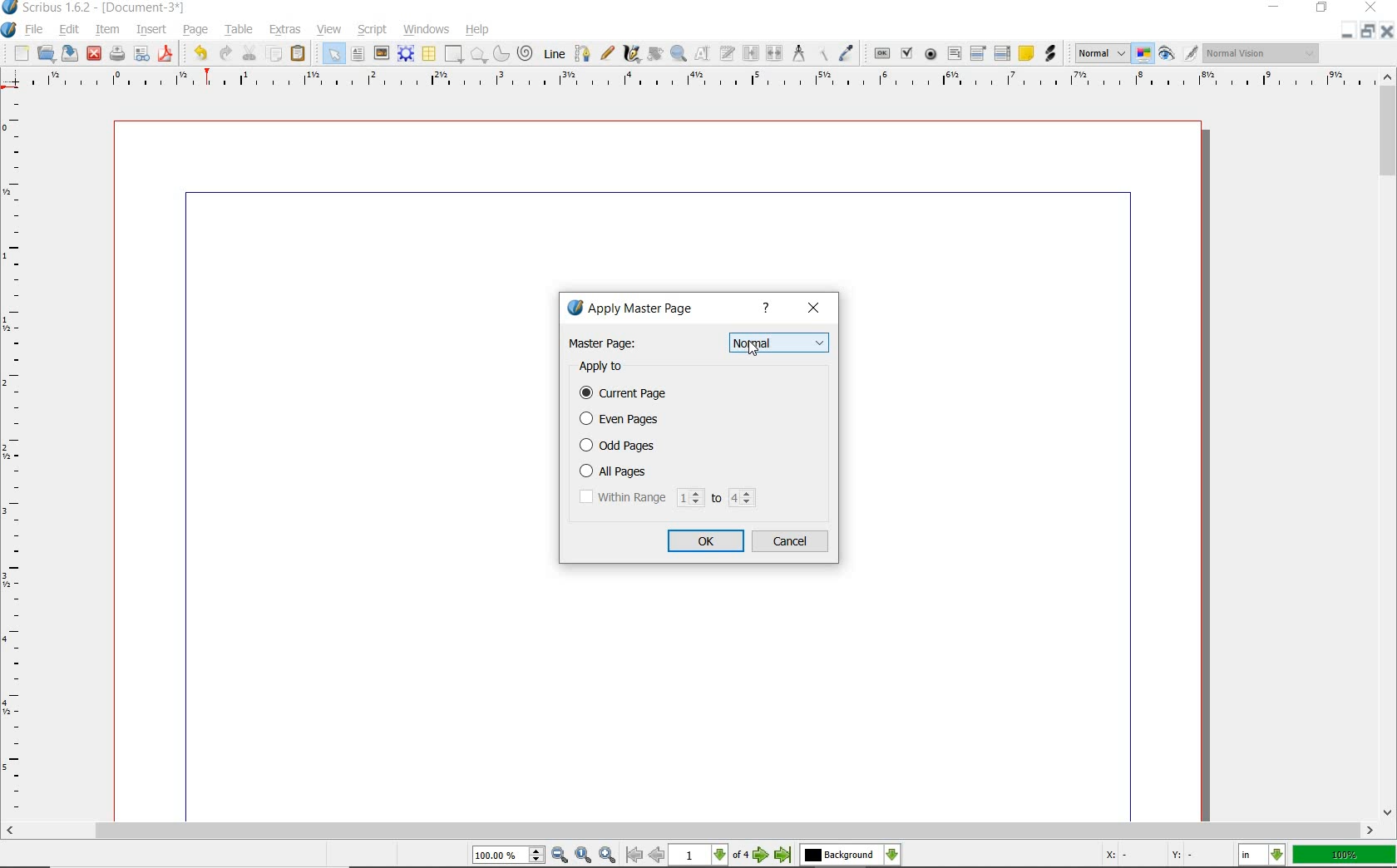 The width and height of the screenshot is (1397, 868). What do you see at coordinates (1024, 53) in the screenshot?
I see `text annotation` at bounding box center [1024, 53].